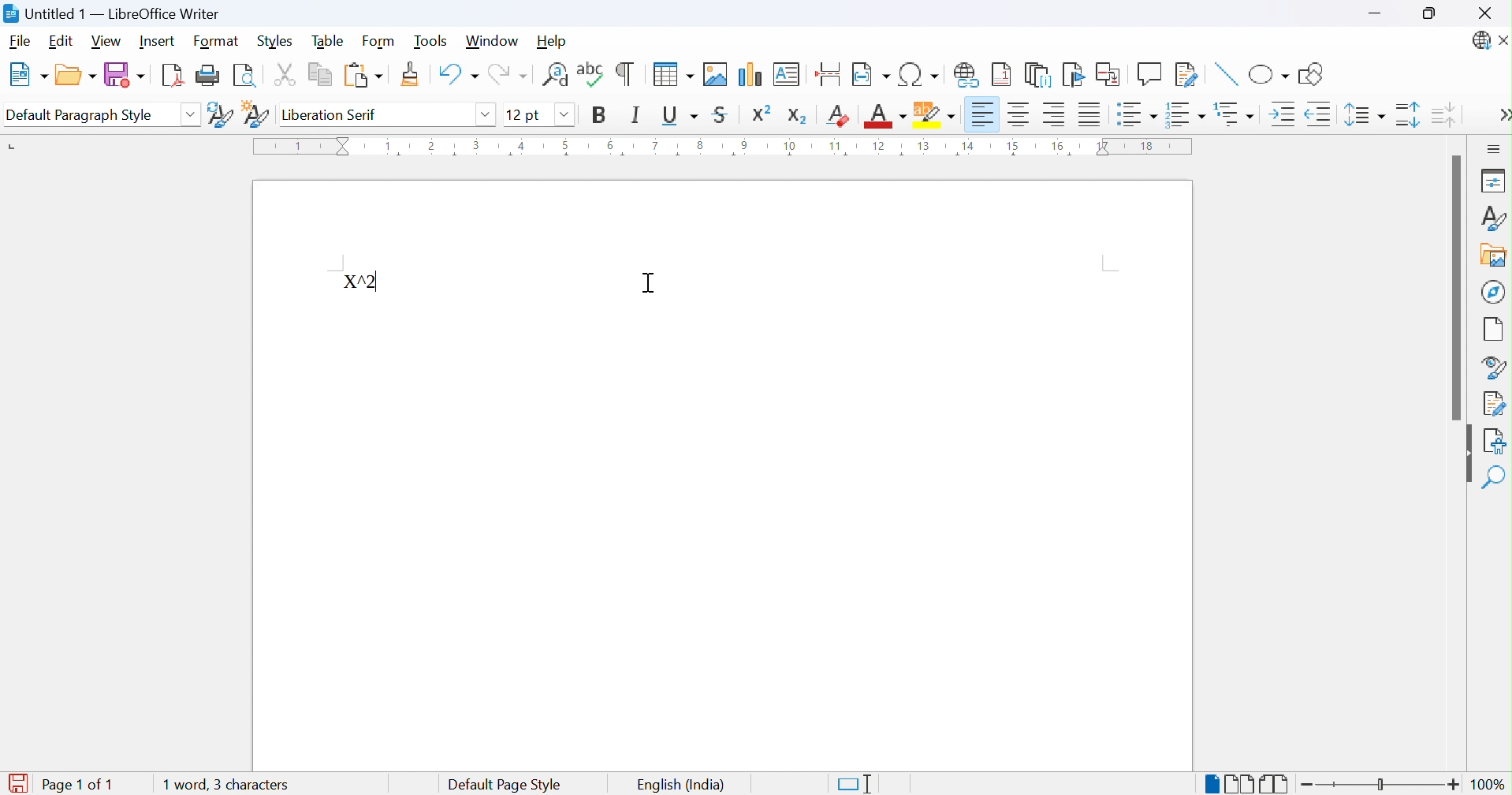 Image resolution: width=1512 pixels, height=795 pixels. Describe the element at coordinates (157, 39) in the screenshot. I see `Insert` at that location.